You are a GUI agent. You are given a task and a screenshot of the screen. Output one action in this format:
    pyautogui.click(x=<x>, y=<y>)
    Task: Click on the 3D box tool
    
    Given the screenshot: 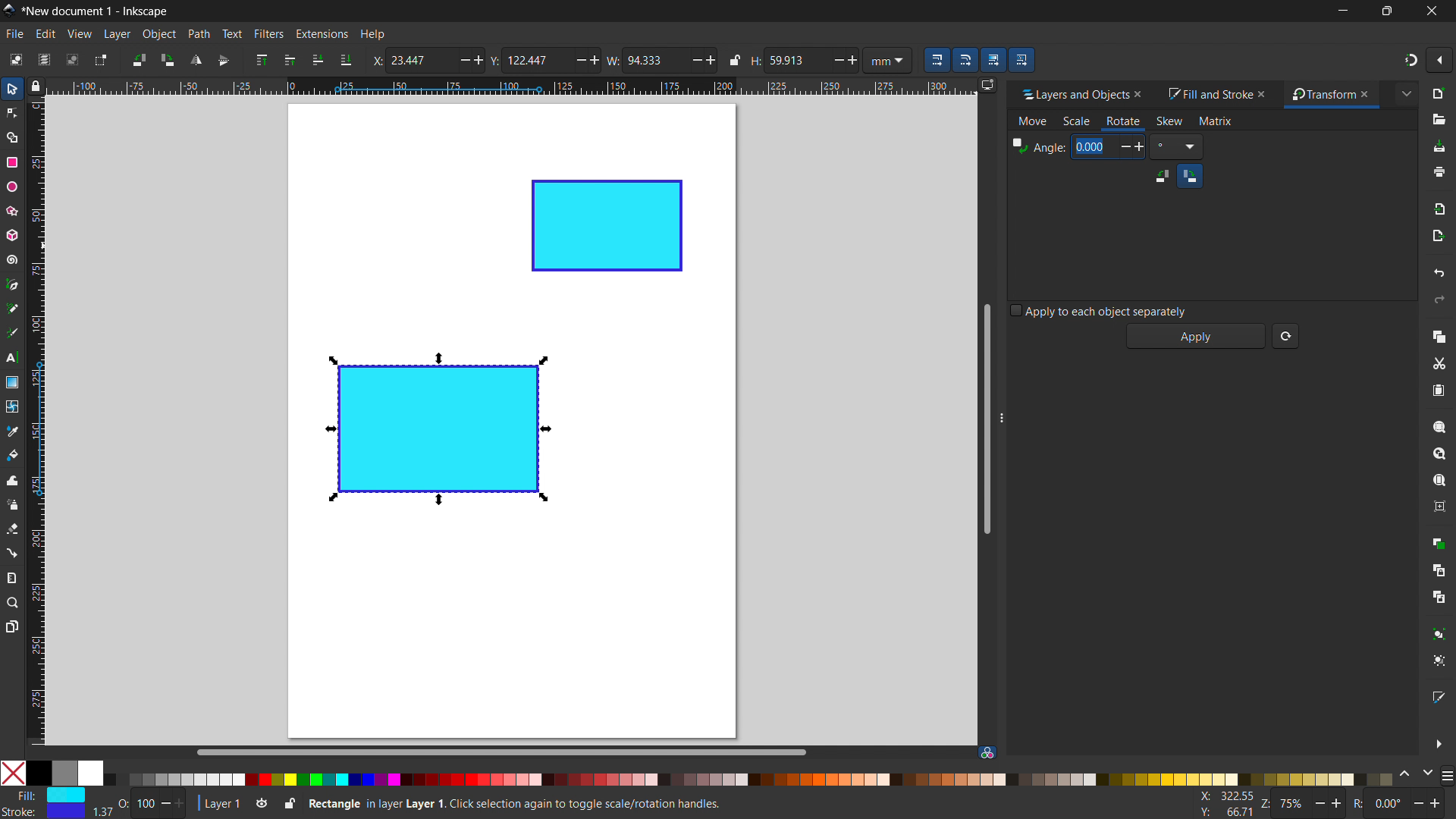 What is the action you would take?
    pyautogui.click(x=11, y=234)
    